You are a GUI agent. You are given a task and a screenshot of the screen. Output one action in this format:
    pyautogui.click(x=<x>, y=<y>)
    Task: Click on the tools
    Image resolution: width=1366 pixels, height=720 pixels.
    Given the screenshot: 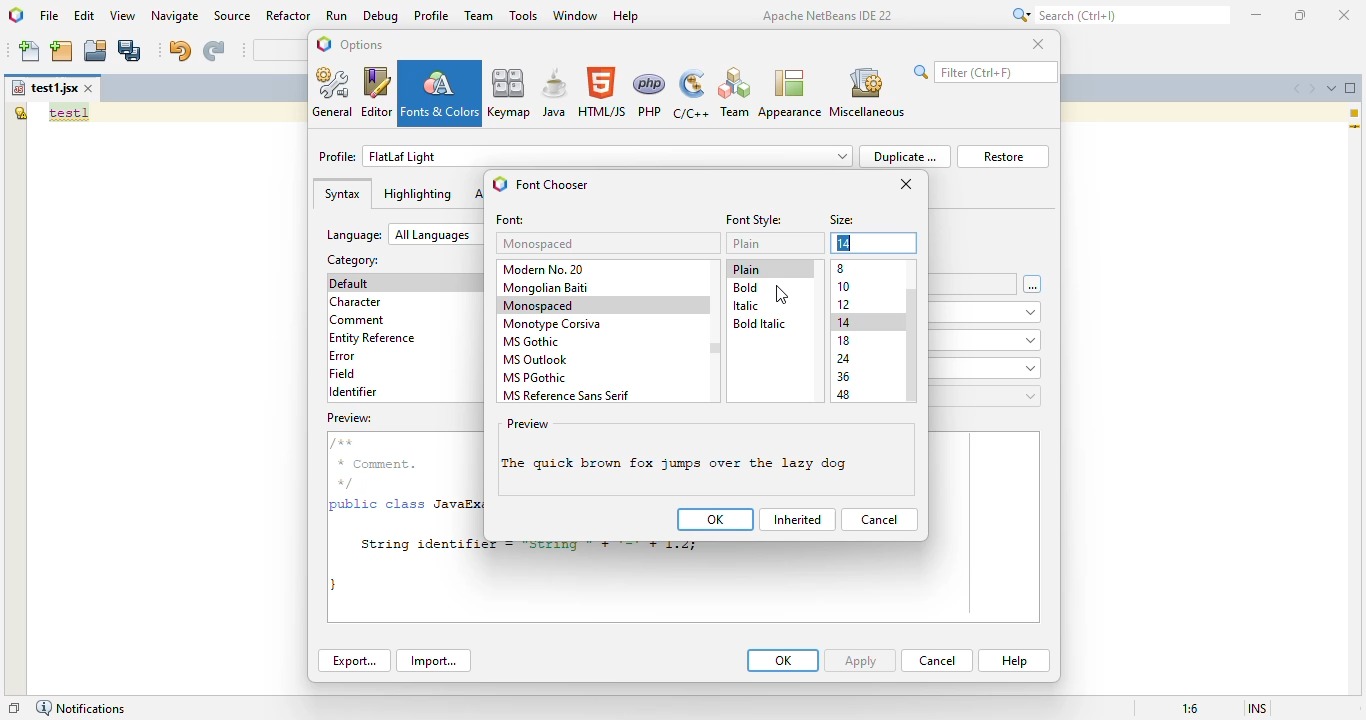 What is the action you would take?
    pyautogui.click(x=523, y=16)
    